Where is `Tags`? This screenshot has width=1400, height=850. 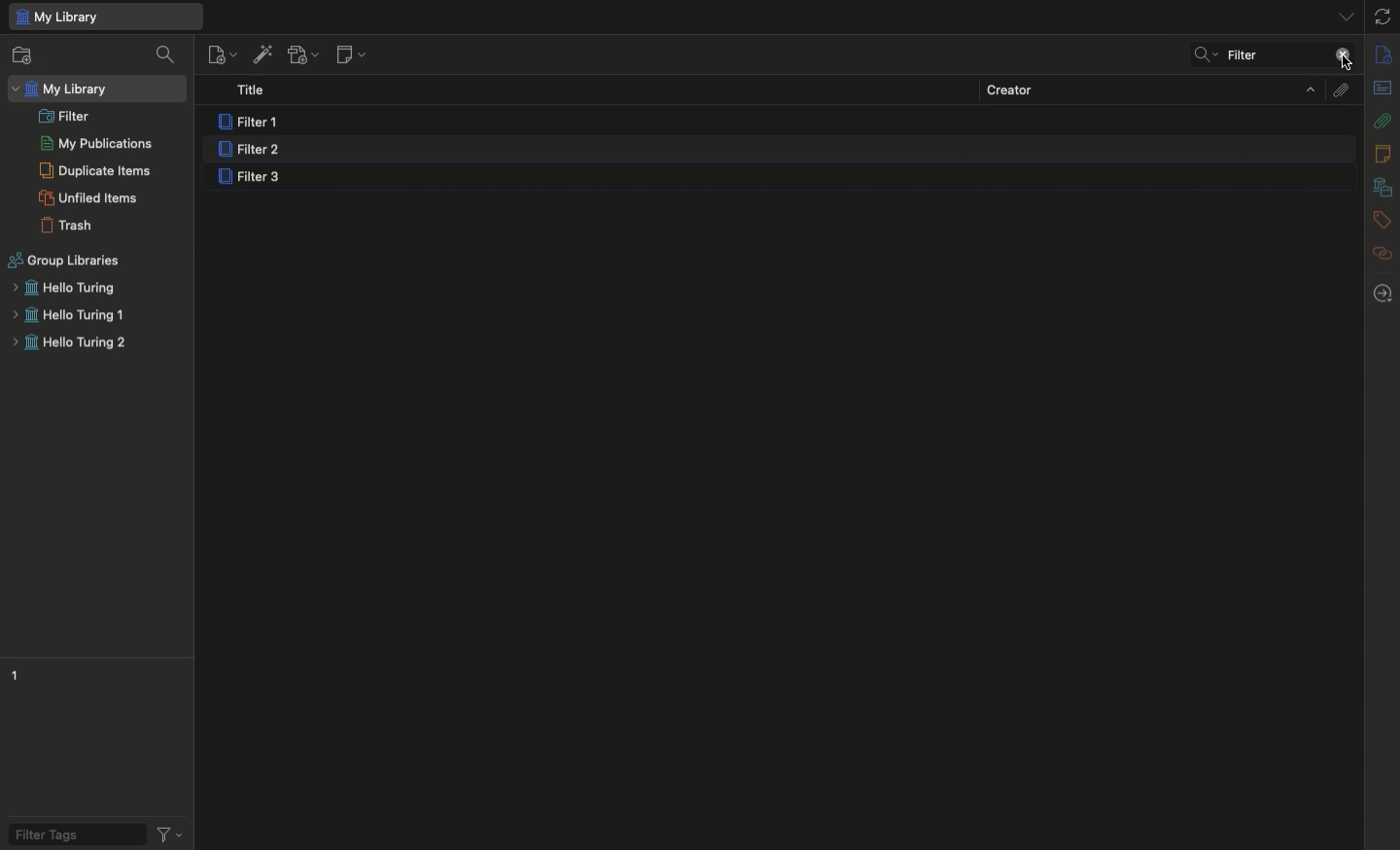
Tags is located at coordinates (1382, 221).